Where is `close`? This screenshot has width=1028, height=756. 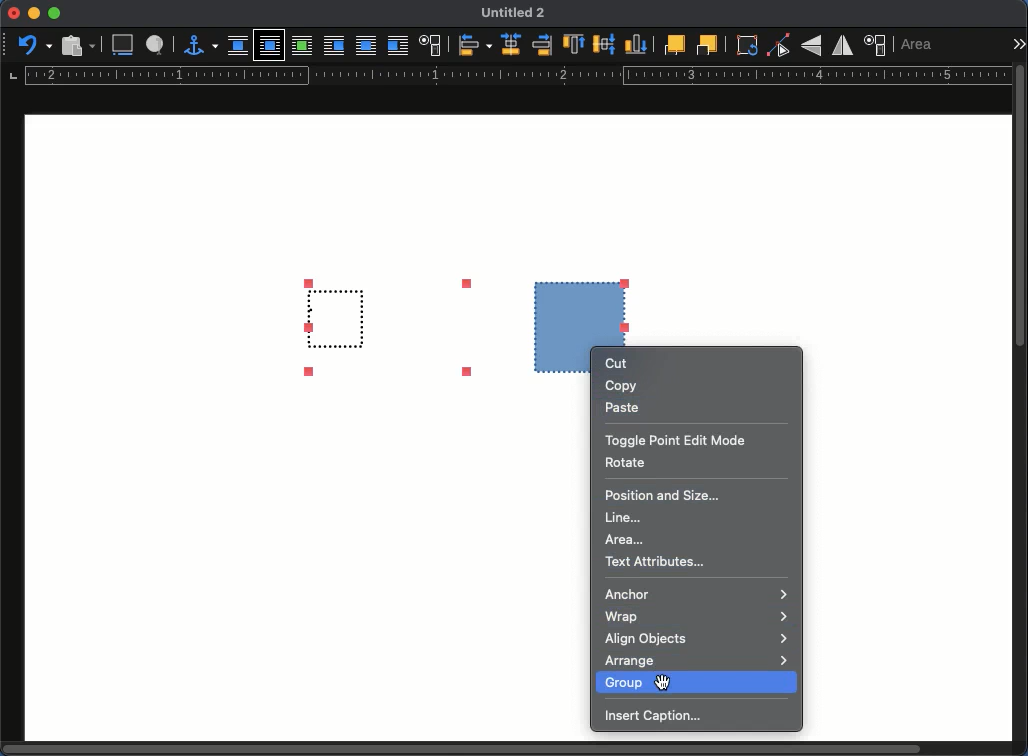 close is located at coordinates (13, 13).